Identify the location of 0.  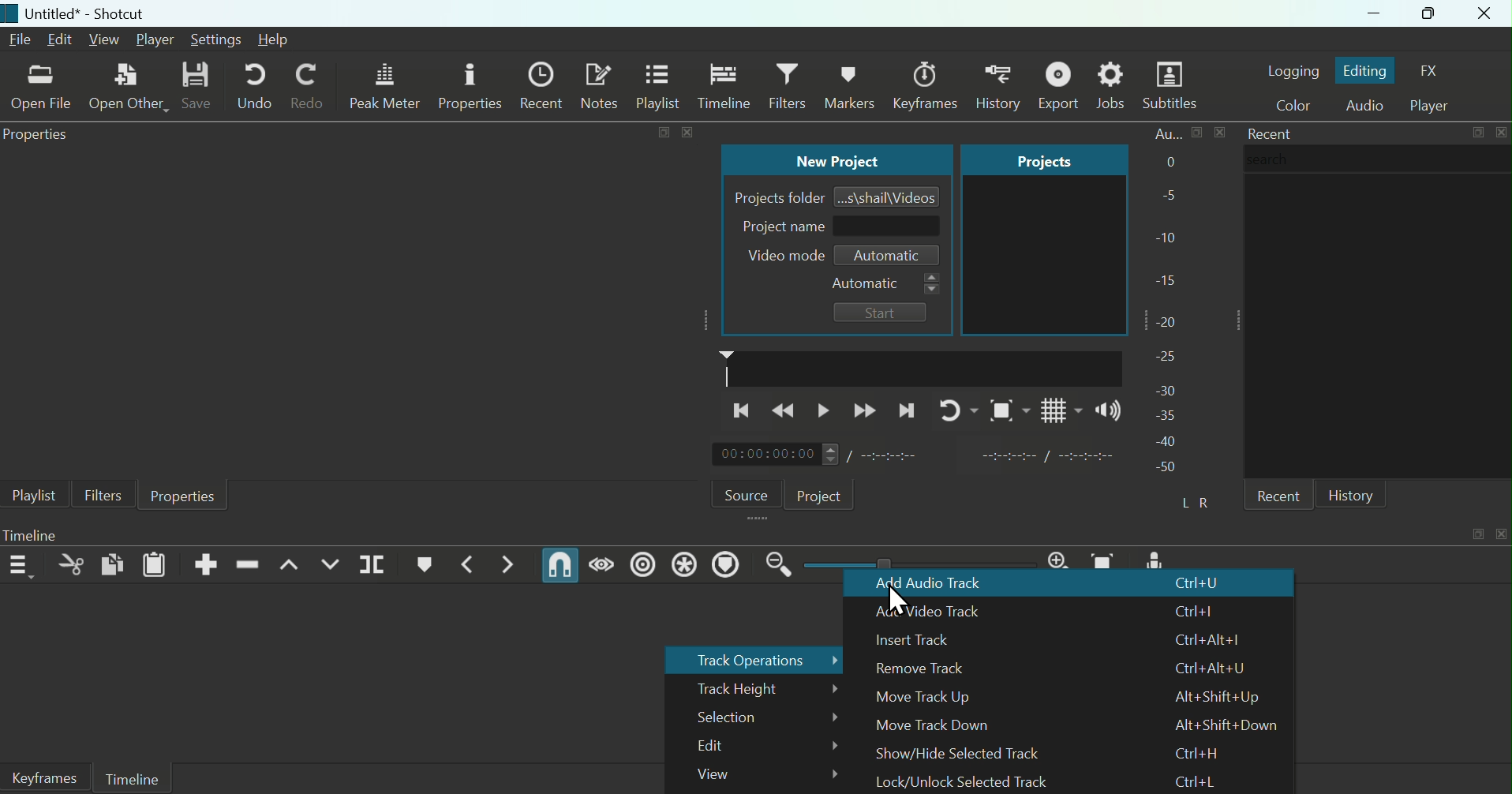
(1168, 163).